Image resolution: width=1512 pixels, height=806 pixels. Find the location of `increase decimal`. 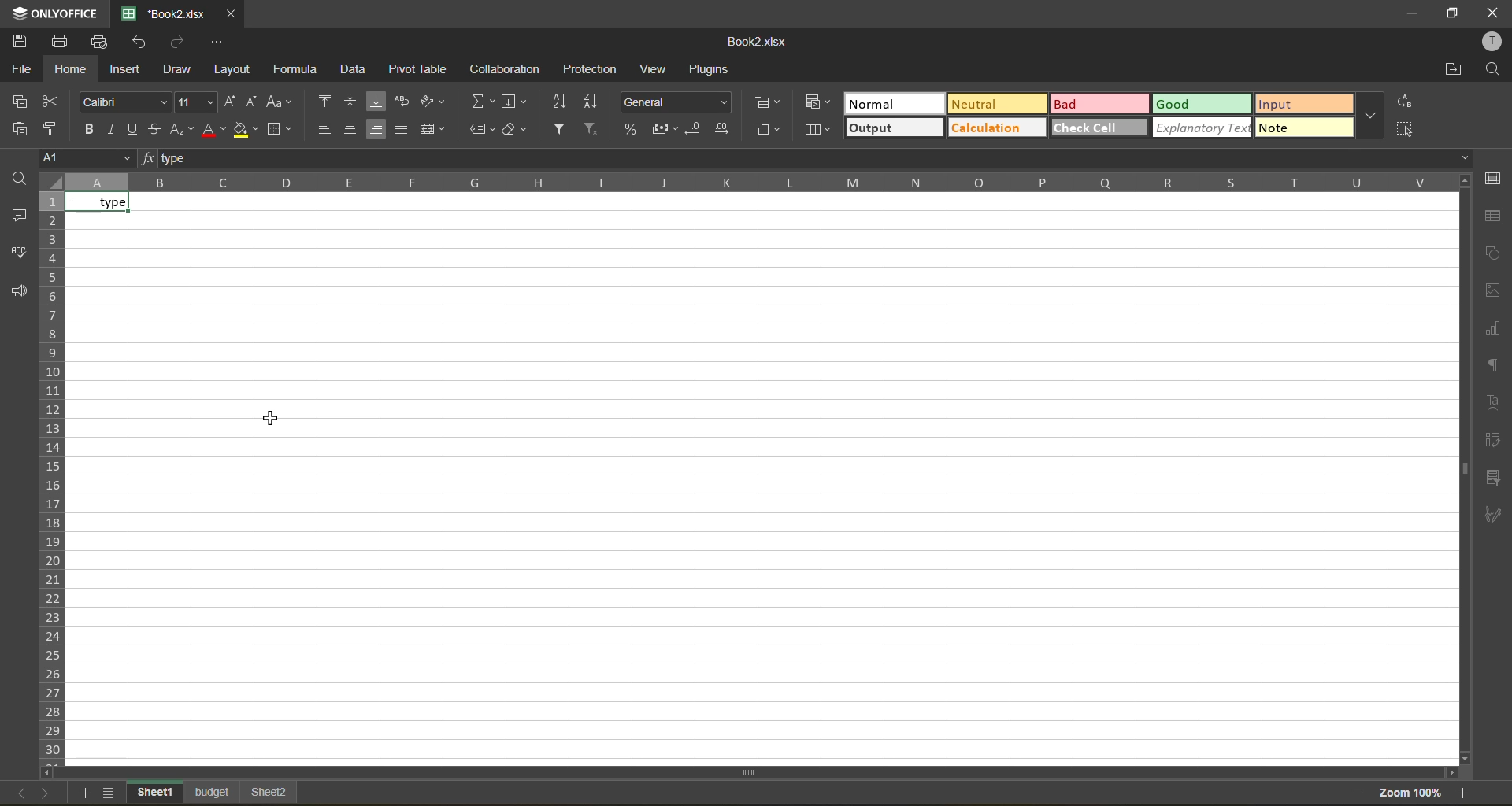

increase decimal is located at coordinates (723, 126).